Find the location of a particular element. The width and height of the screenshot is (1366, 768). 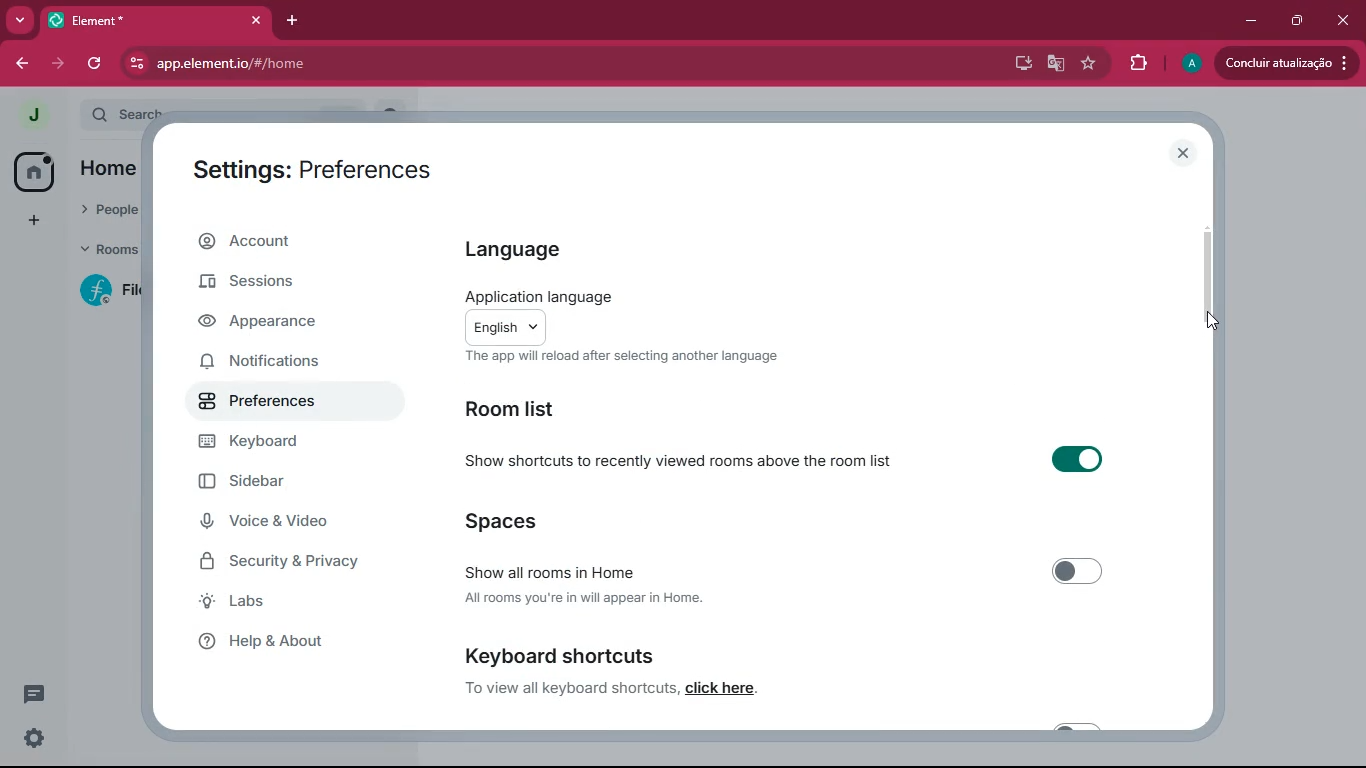

home is located at coordinates (34, 170).